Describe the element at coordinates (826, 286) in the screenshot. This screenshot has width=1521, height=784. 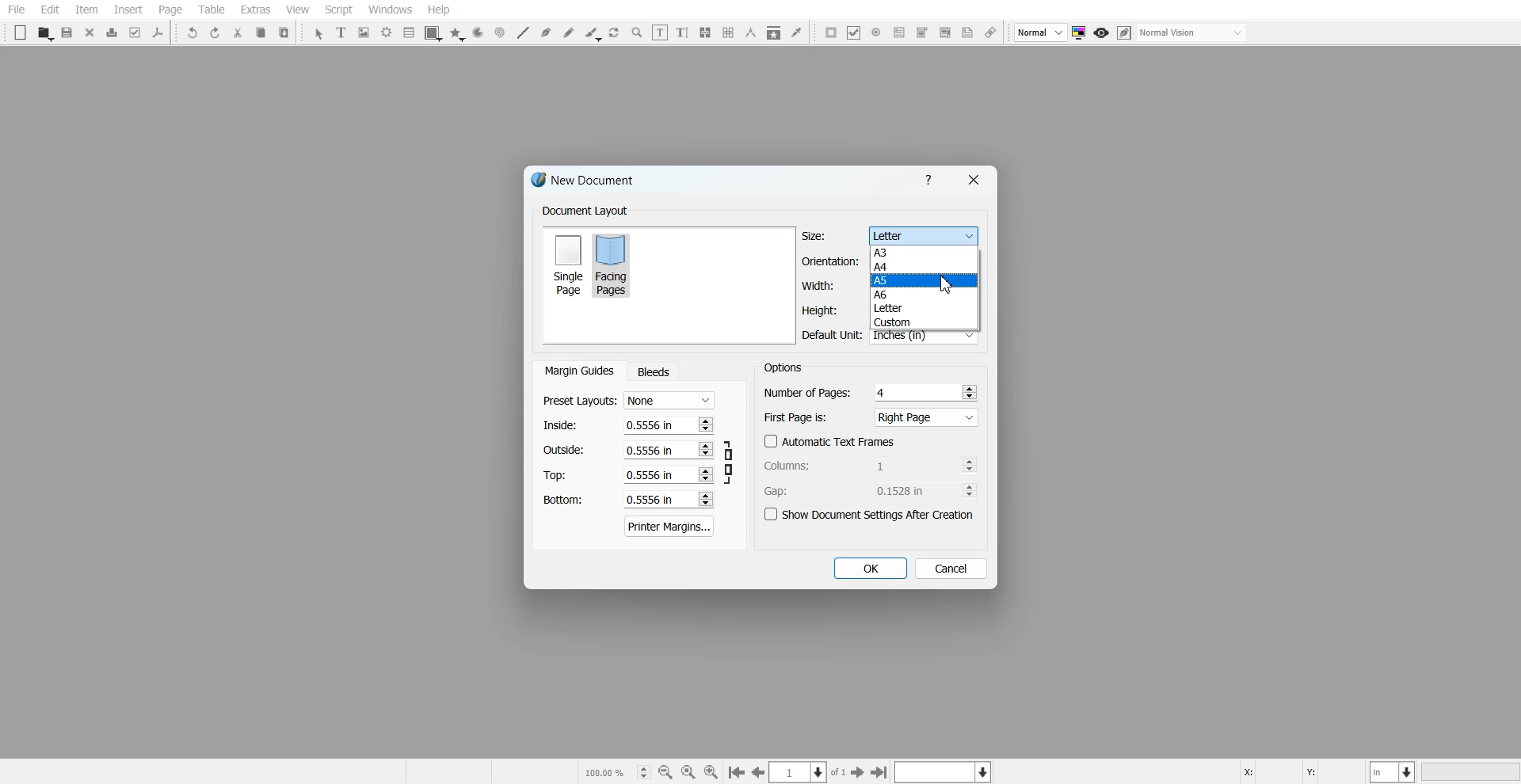
I see `Width adjuster` at that location.